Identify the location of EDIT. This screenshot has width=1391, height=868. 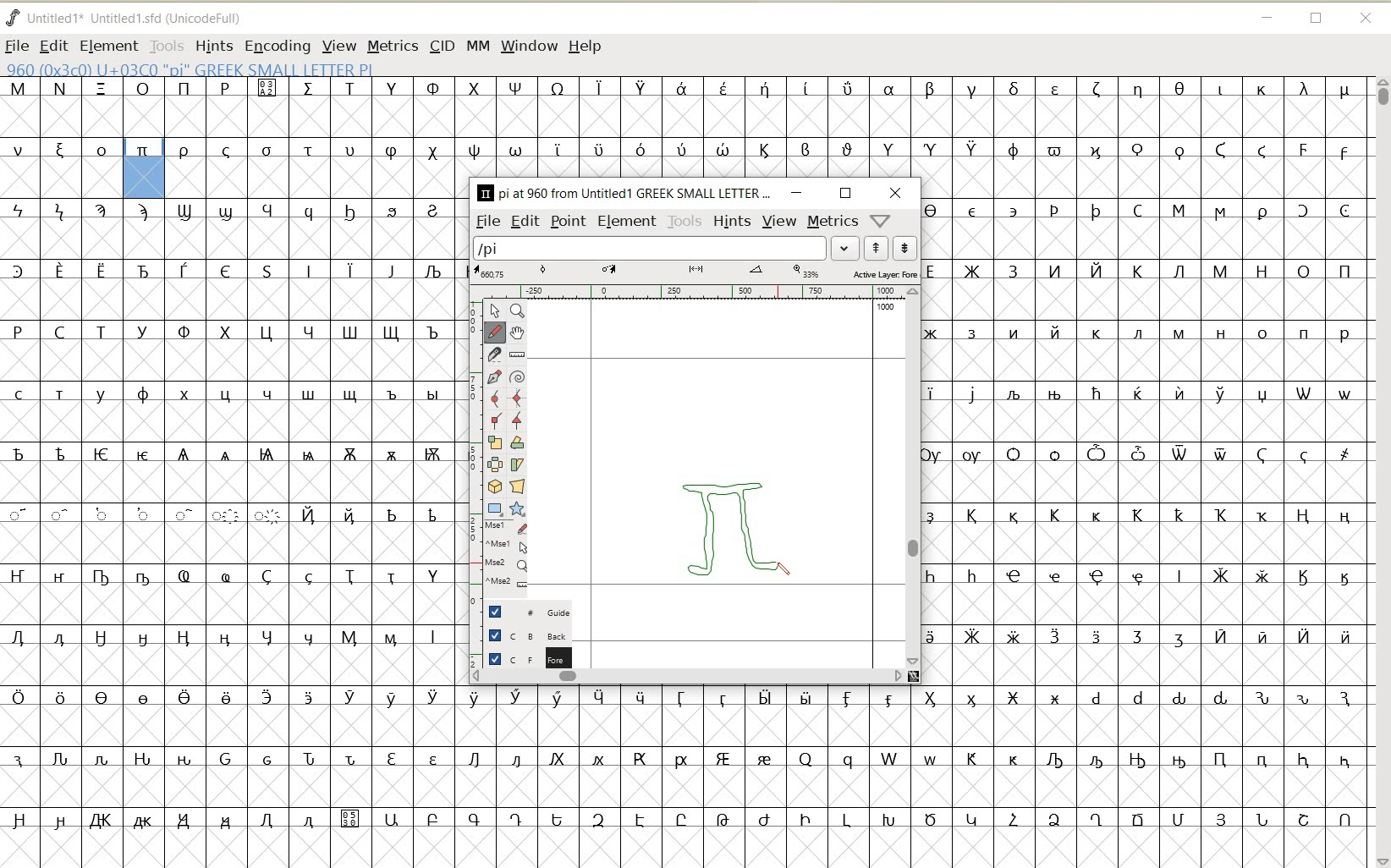
(53, 46).